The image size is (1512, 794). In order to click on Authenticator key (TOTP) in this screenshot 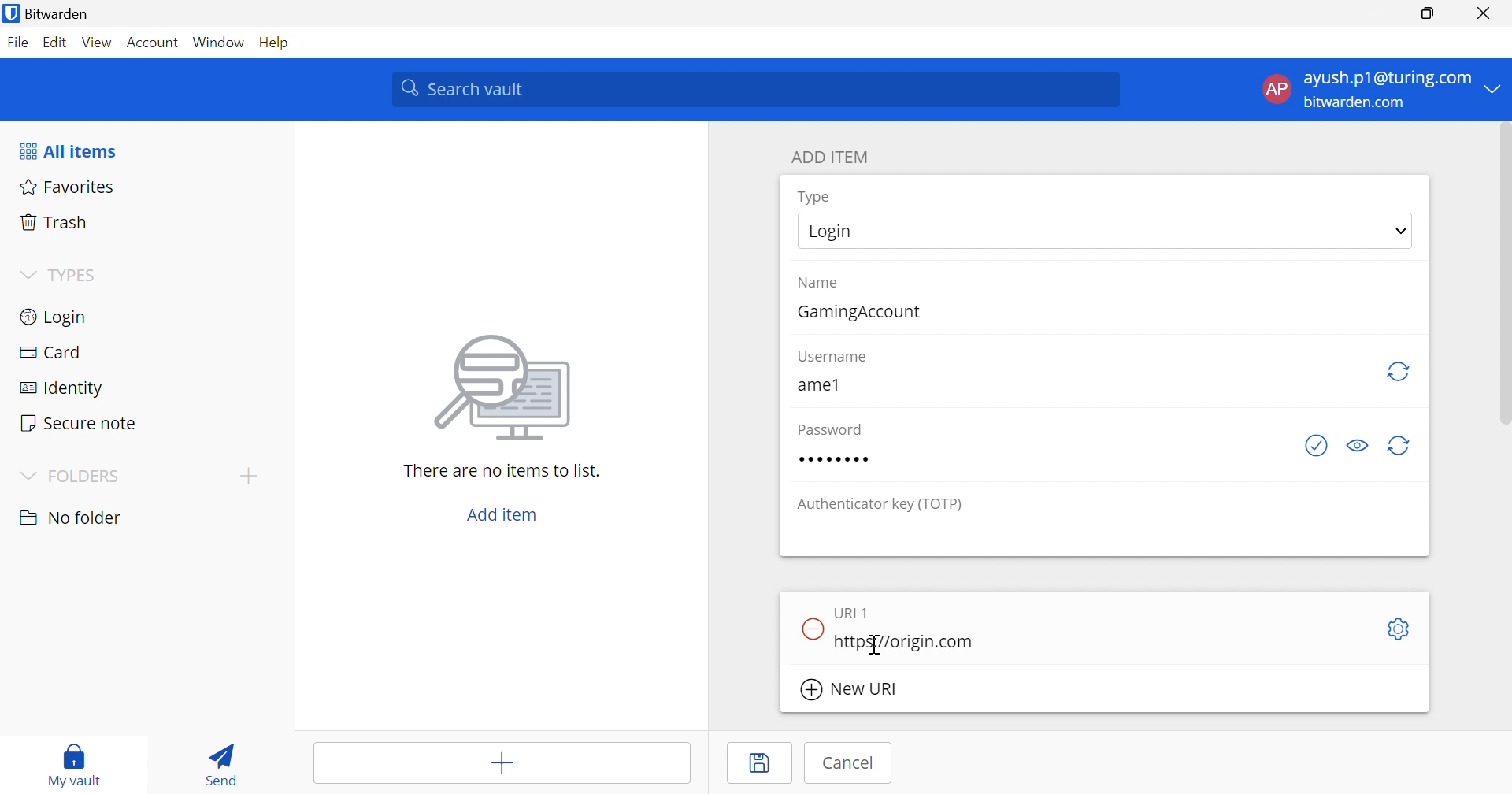, I will do `click(884, 504)`.